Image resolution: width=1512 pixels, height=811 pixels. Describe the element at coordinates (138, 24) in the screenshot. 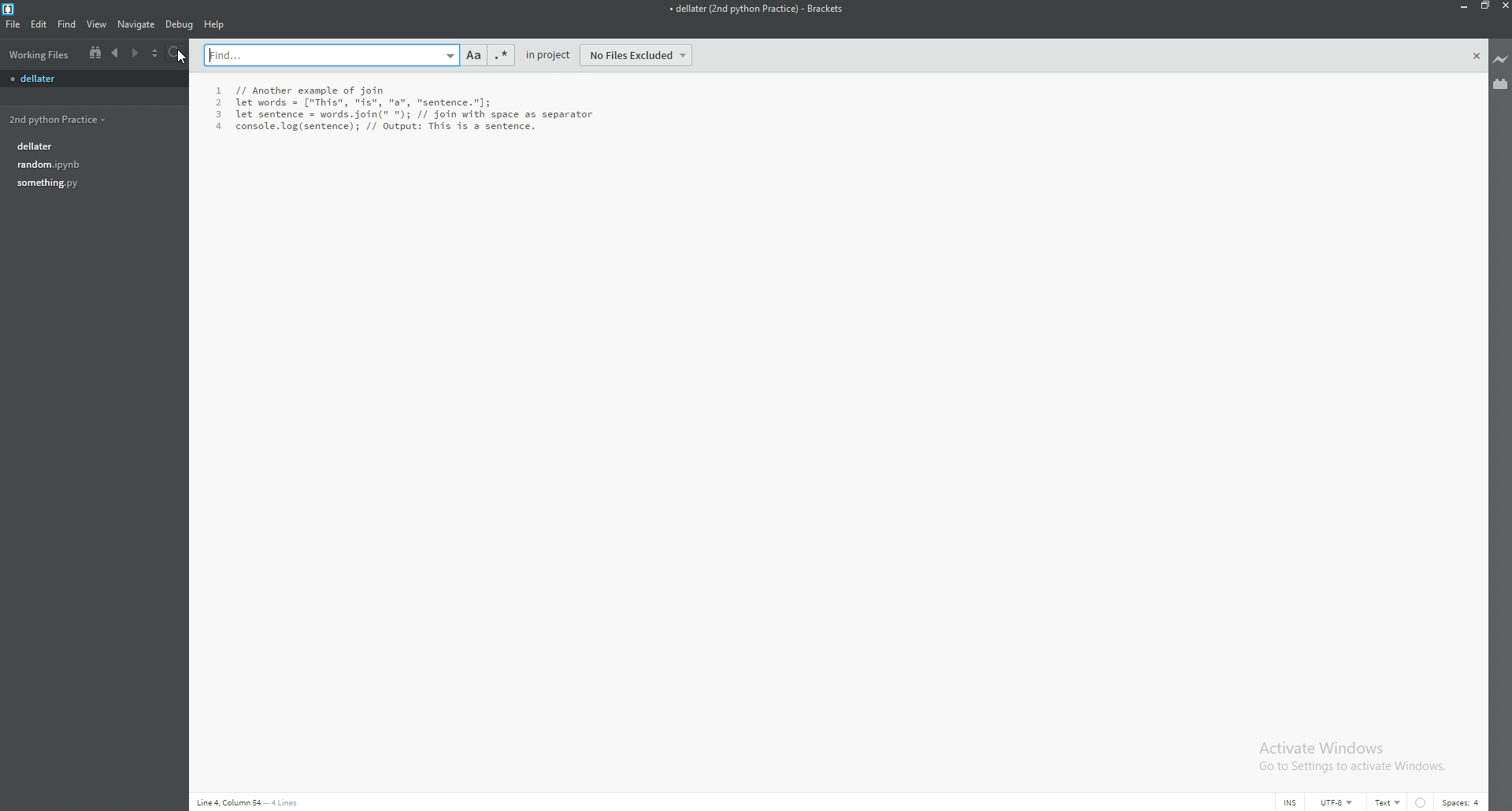

I see `navigate` at that location.